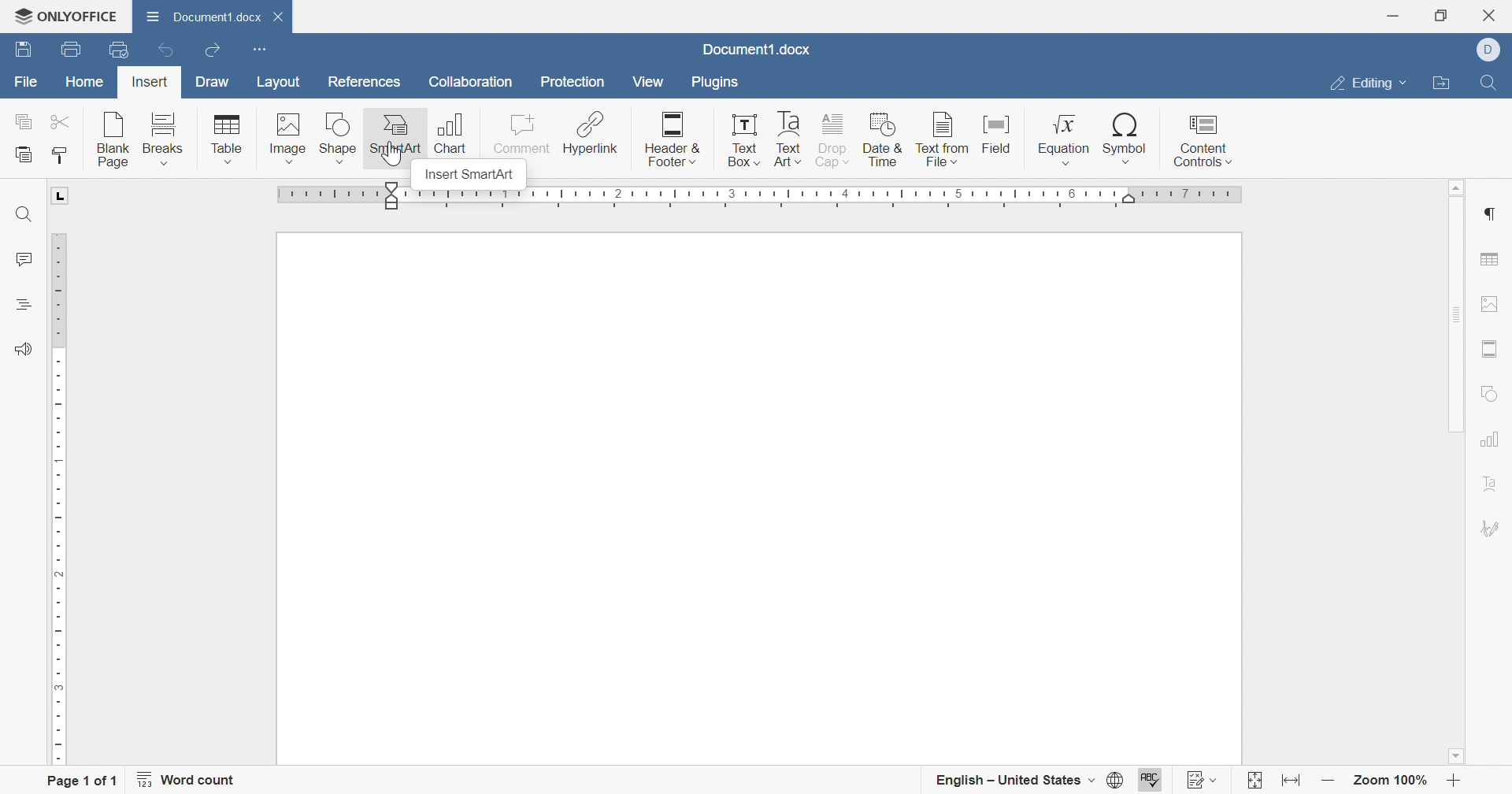  Describe the element at coordinates (276, 83) in the screenshot. I see `Layout` at that location.